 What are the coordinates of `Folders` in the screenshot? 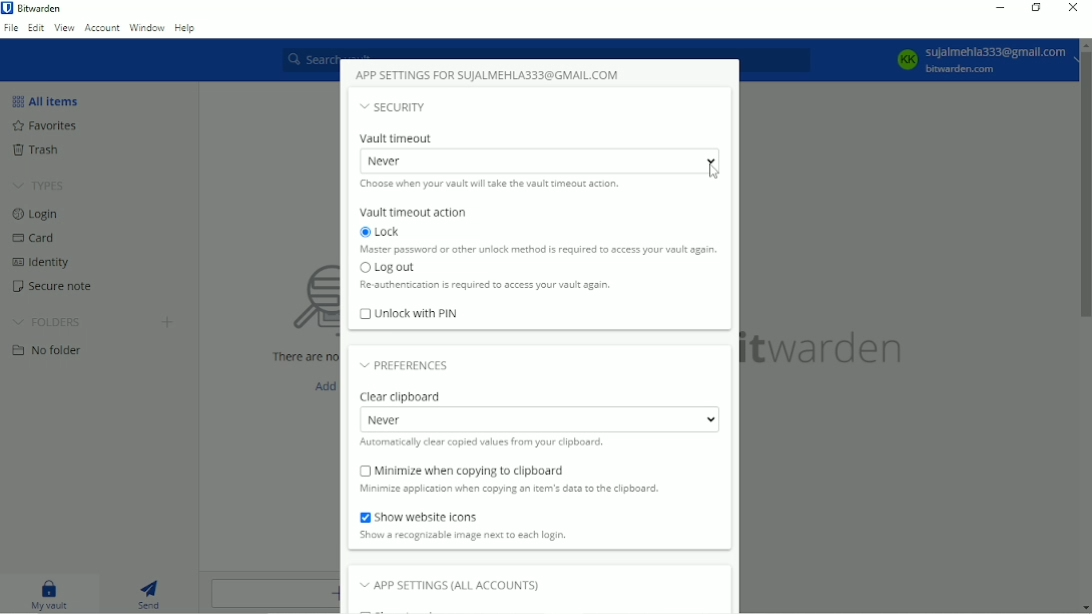 It's located at (47, 322).